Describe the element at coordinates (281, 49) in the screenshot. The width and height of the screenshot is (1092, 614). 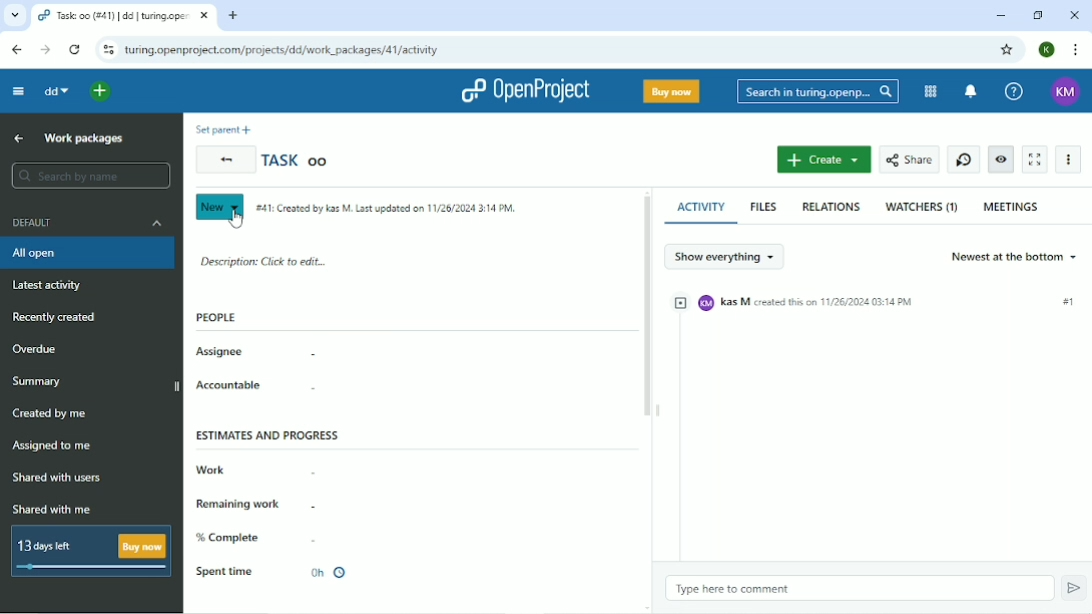
I see `turing.openproject.com/projects/dd/work_packages/42/activity` at that location.